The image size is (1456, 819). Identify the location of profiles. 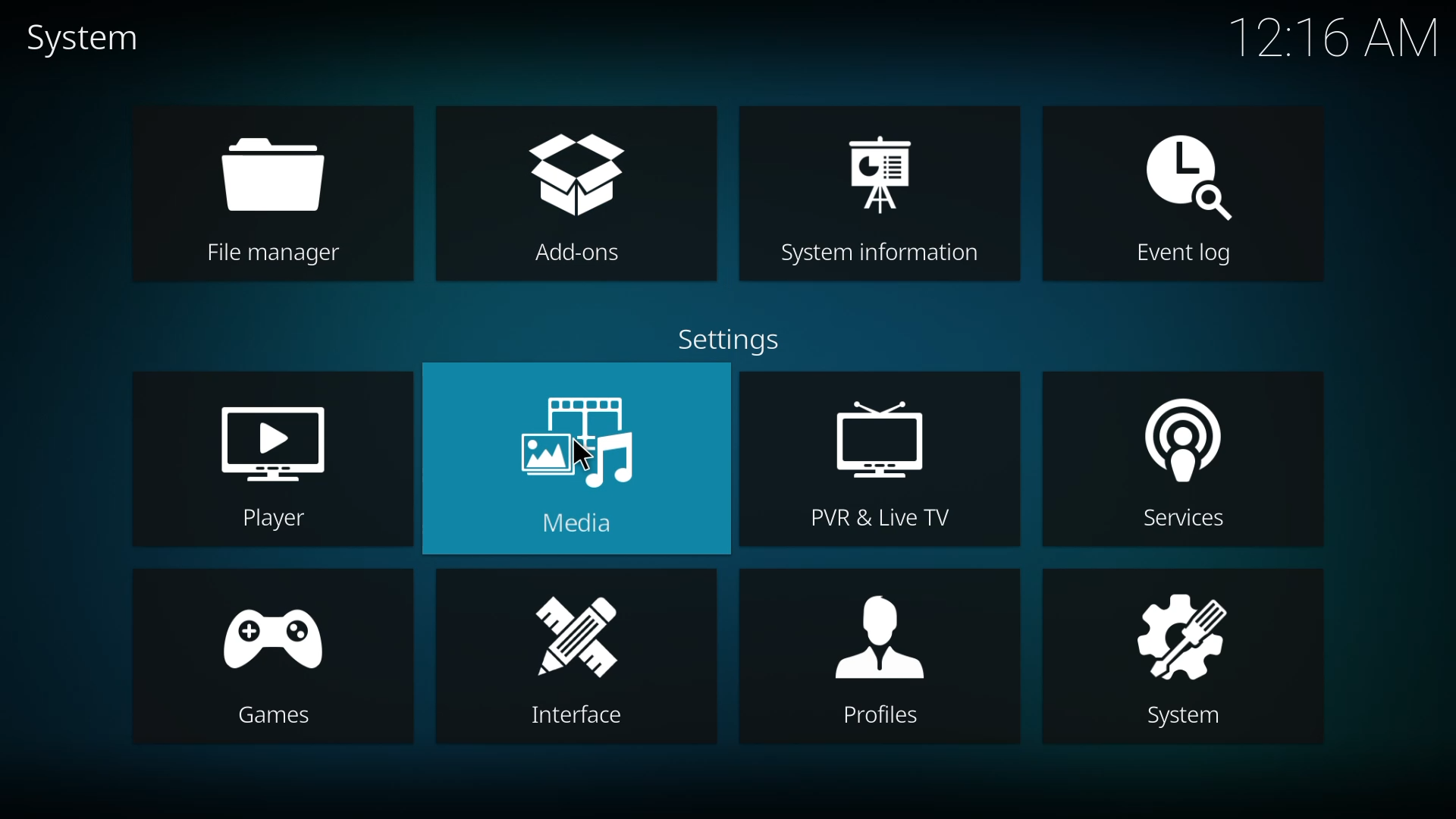
(892, 636).